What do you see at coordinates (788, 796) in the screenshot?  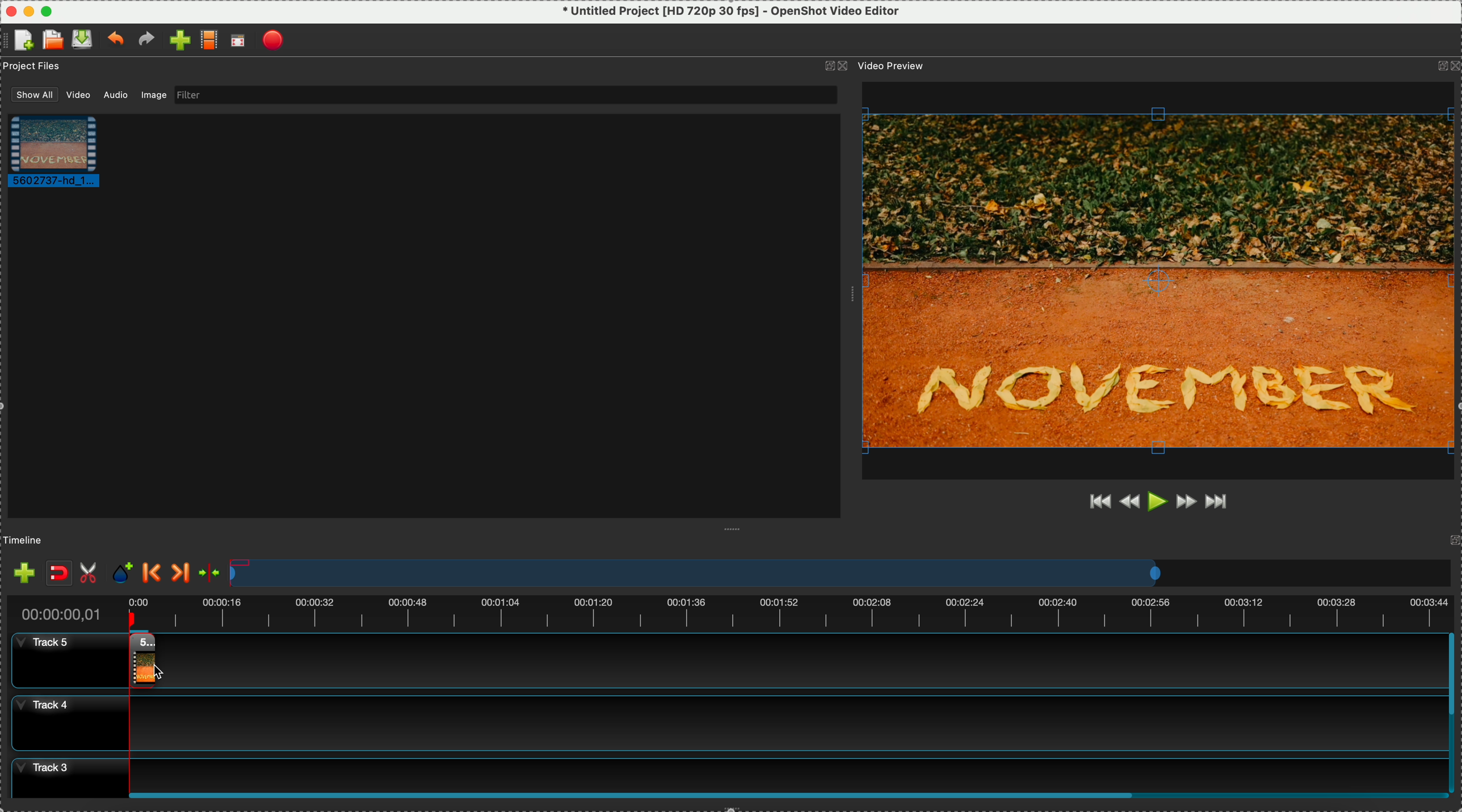 I see `Horizontal scroll bar` at bounding box center [788, 796].